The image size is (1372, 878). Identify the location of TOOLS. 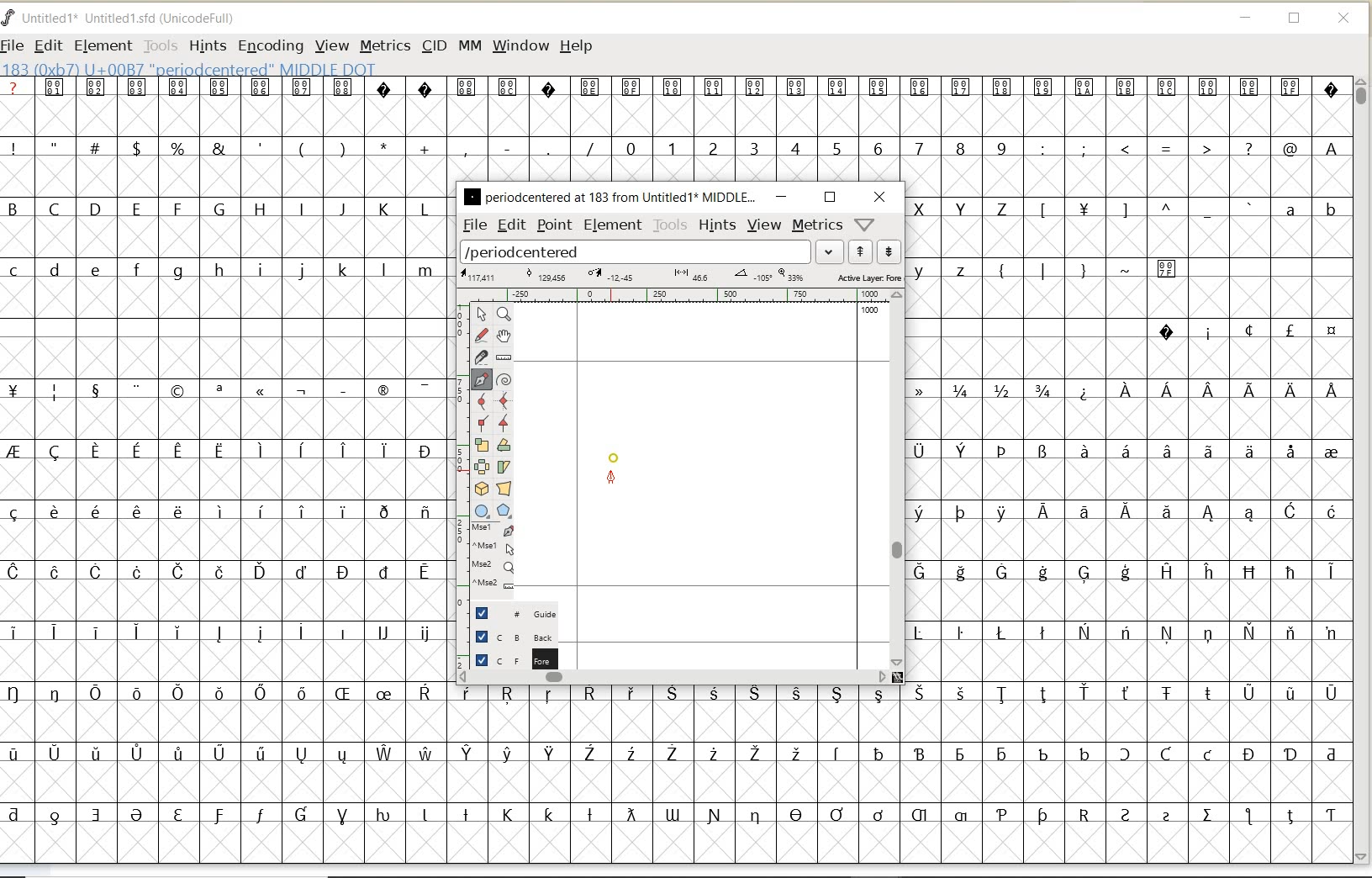
(161, 45).